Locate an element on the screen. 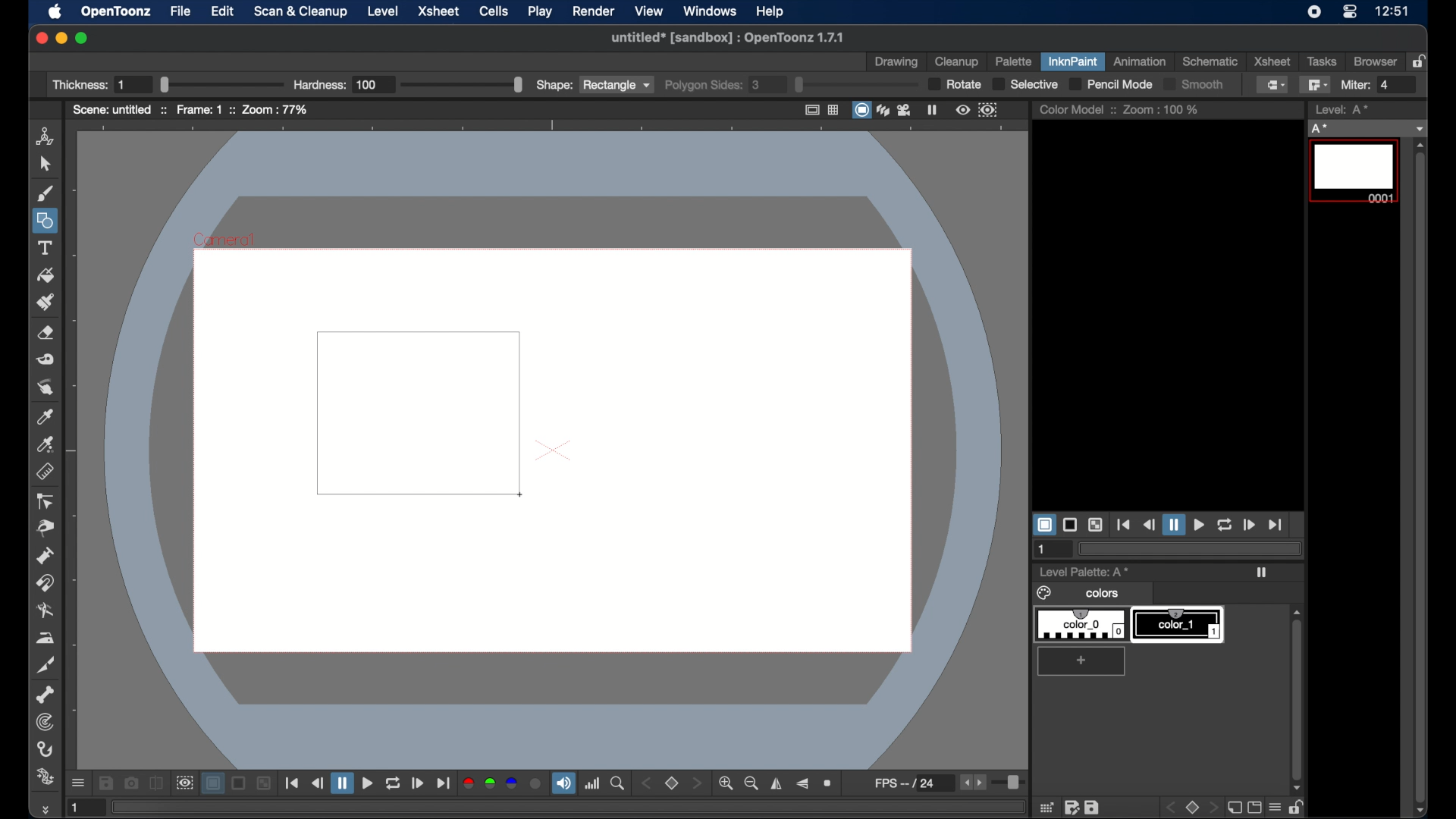 This screenshot has height=819, width=1456. volume is located at coordinates (563, 783).